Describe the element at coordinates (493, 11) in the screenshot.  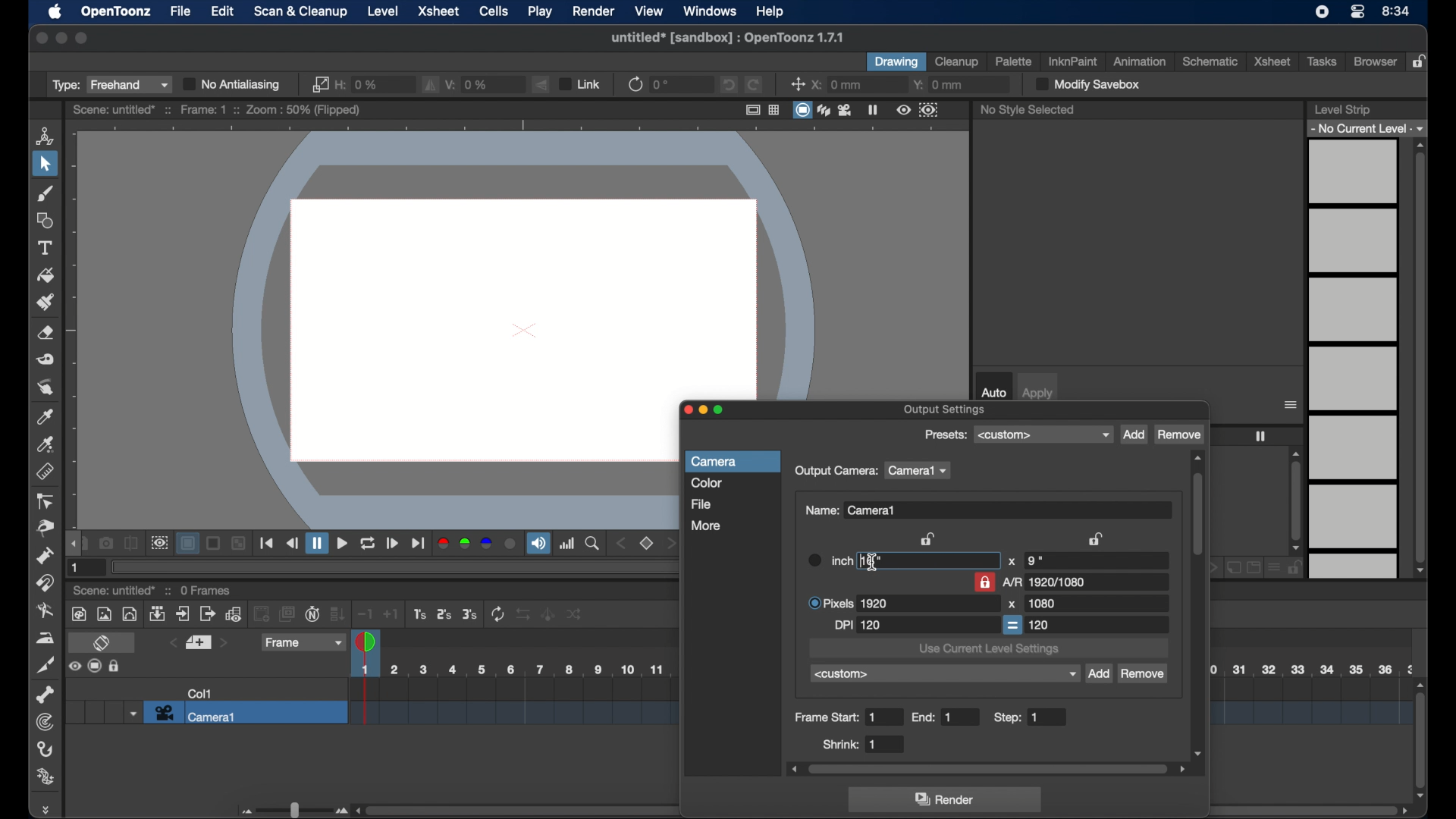
I see `cells` at that location.